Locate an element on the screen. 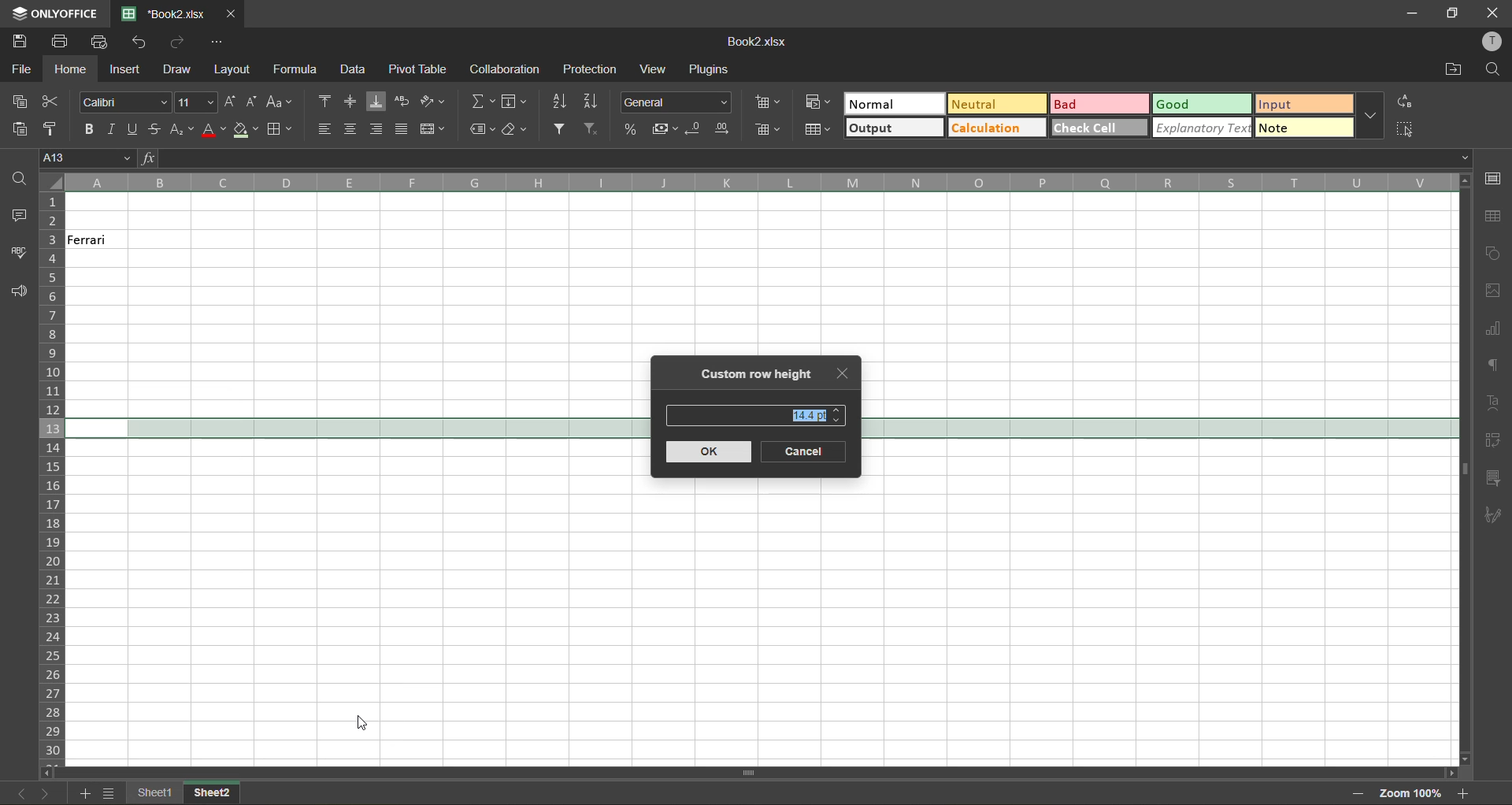  increase decimal is located at coordinates (725, 128).